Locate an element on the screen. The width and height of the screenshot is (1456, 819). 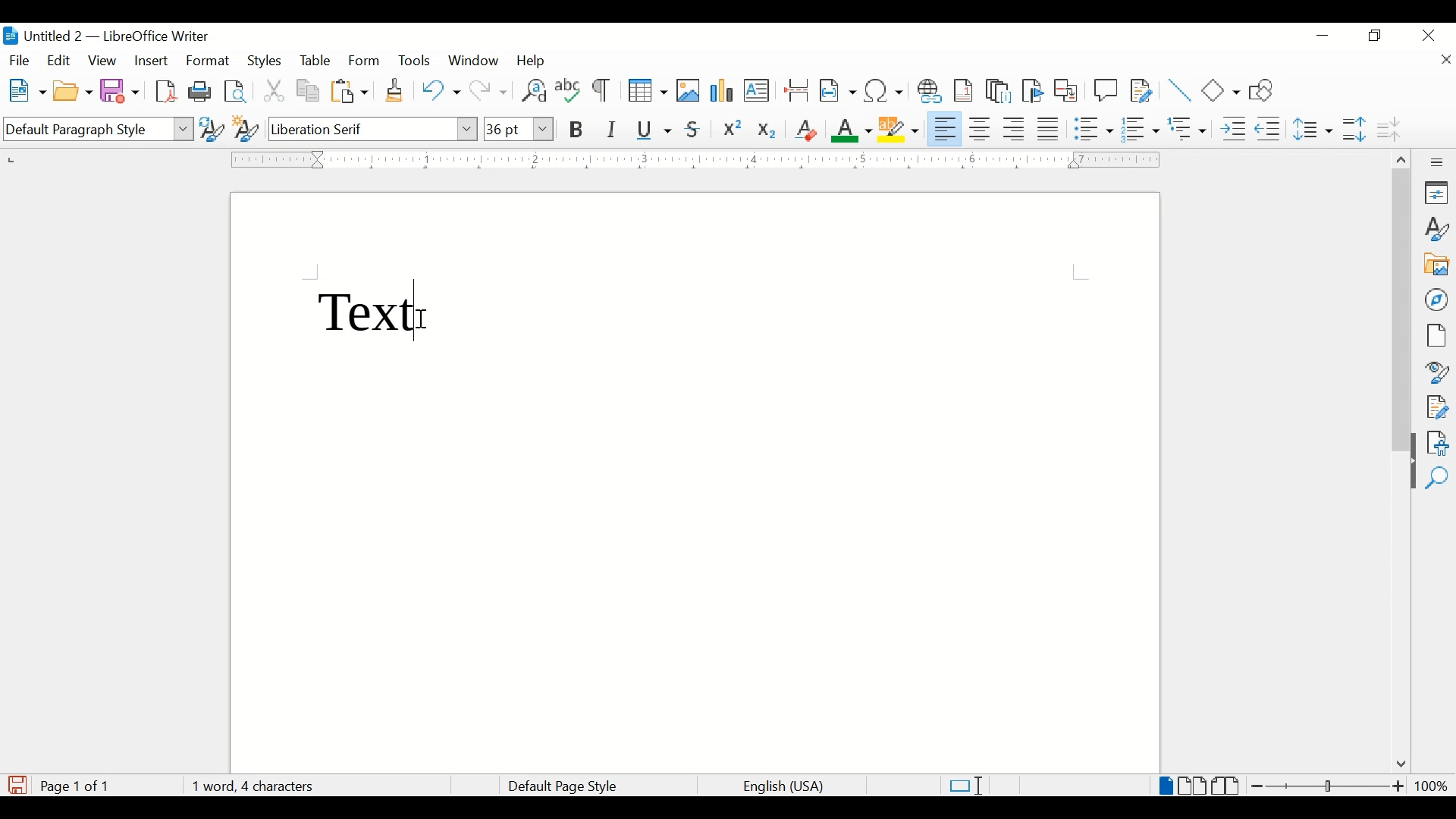
page count is located at coordinates (79, 786).